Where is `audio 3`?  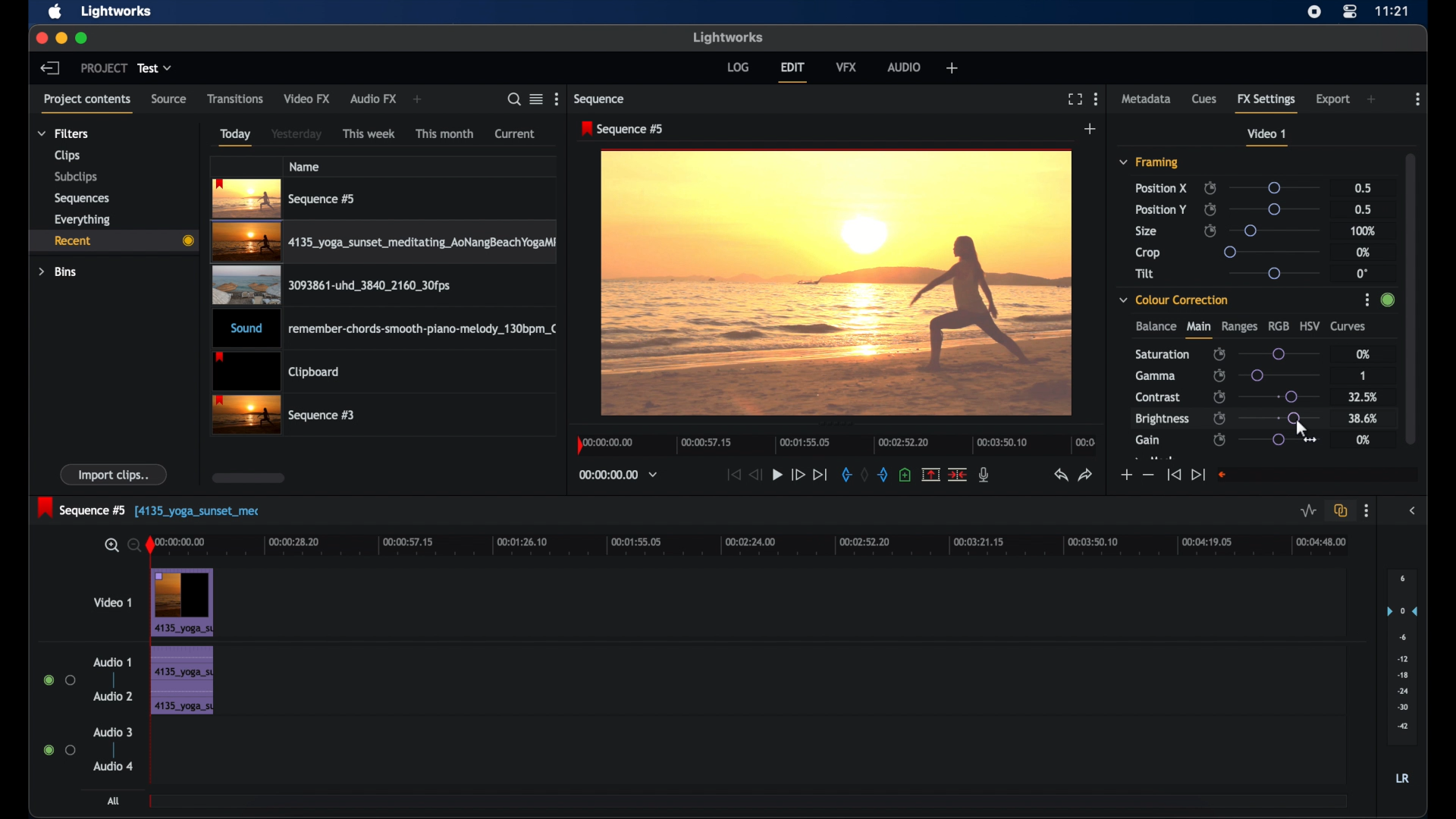
audio 3 is located at coordinates (114, 733).